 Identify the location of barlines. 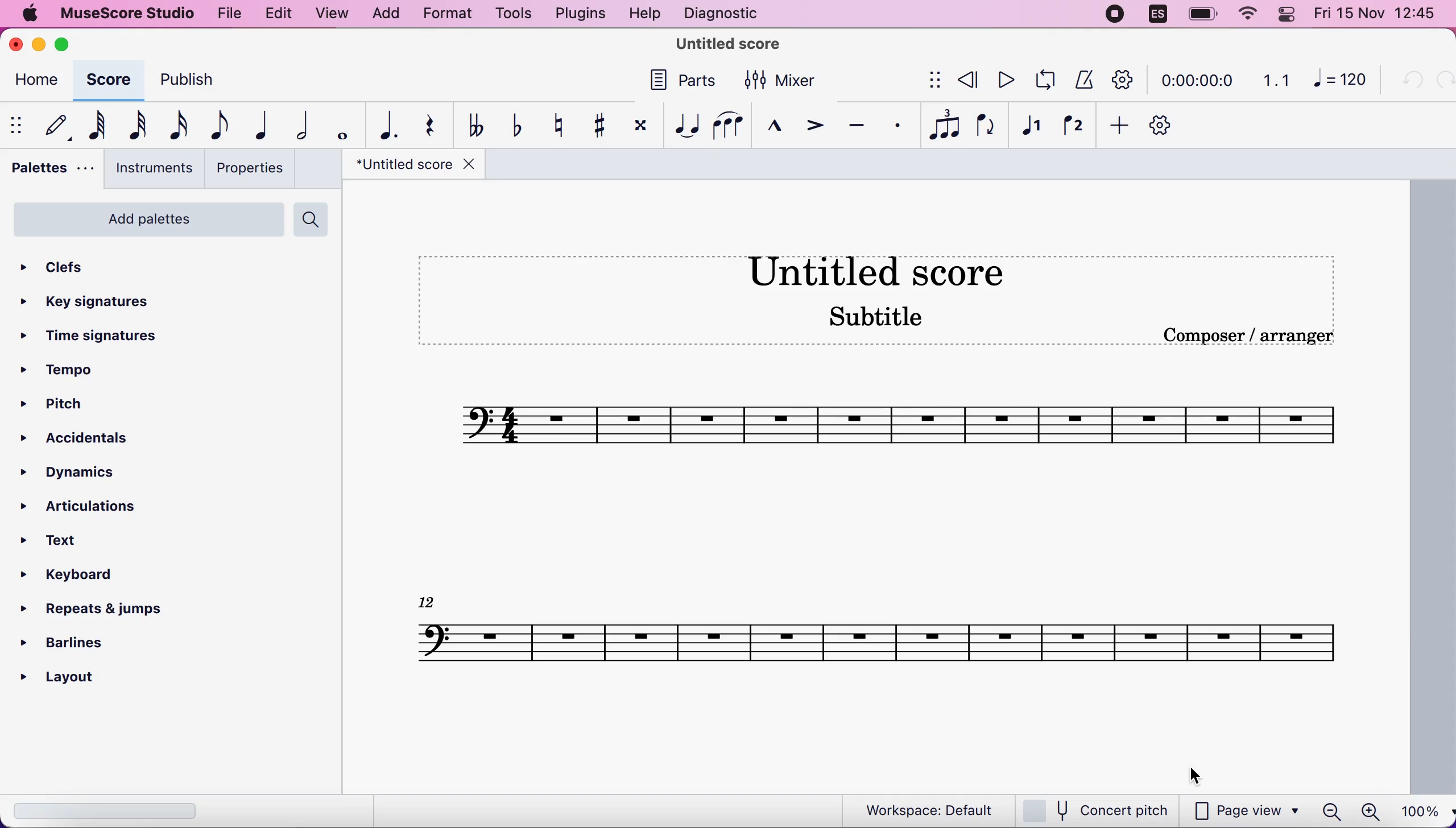
(75, 642).